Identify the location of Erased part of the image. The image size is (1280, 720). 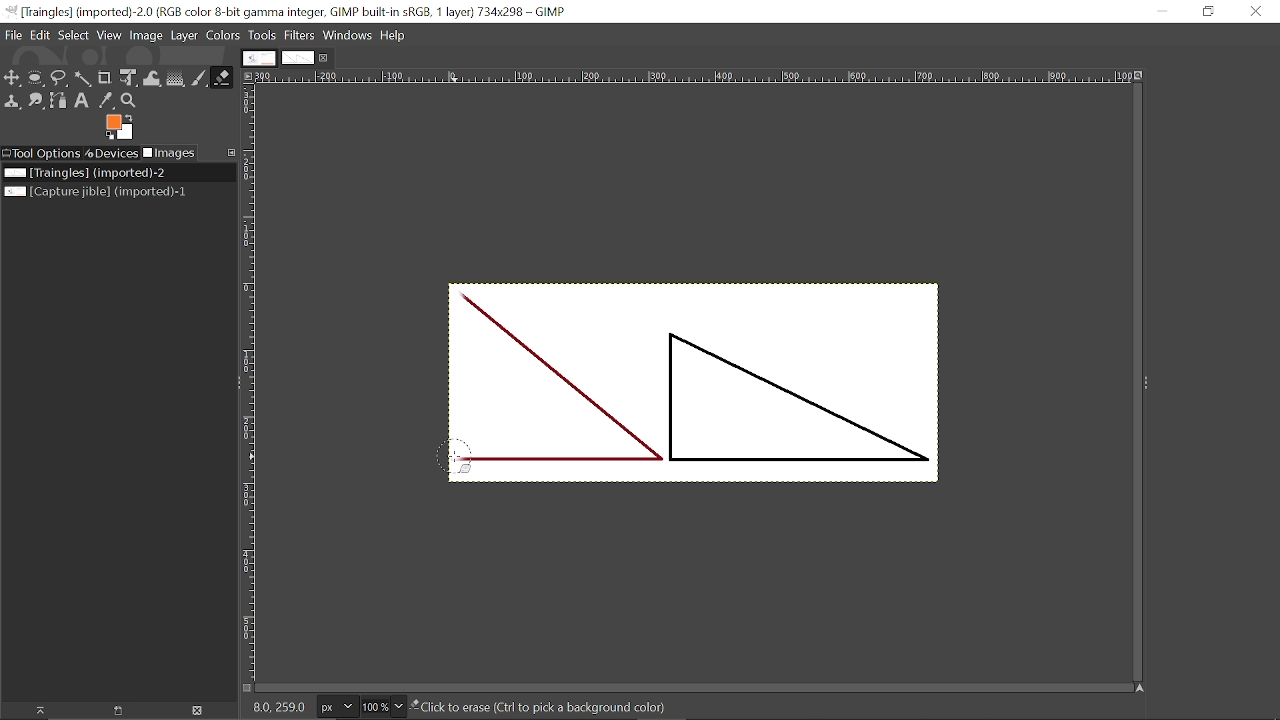
(463, 379).